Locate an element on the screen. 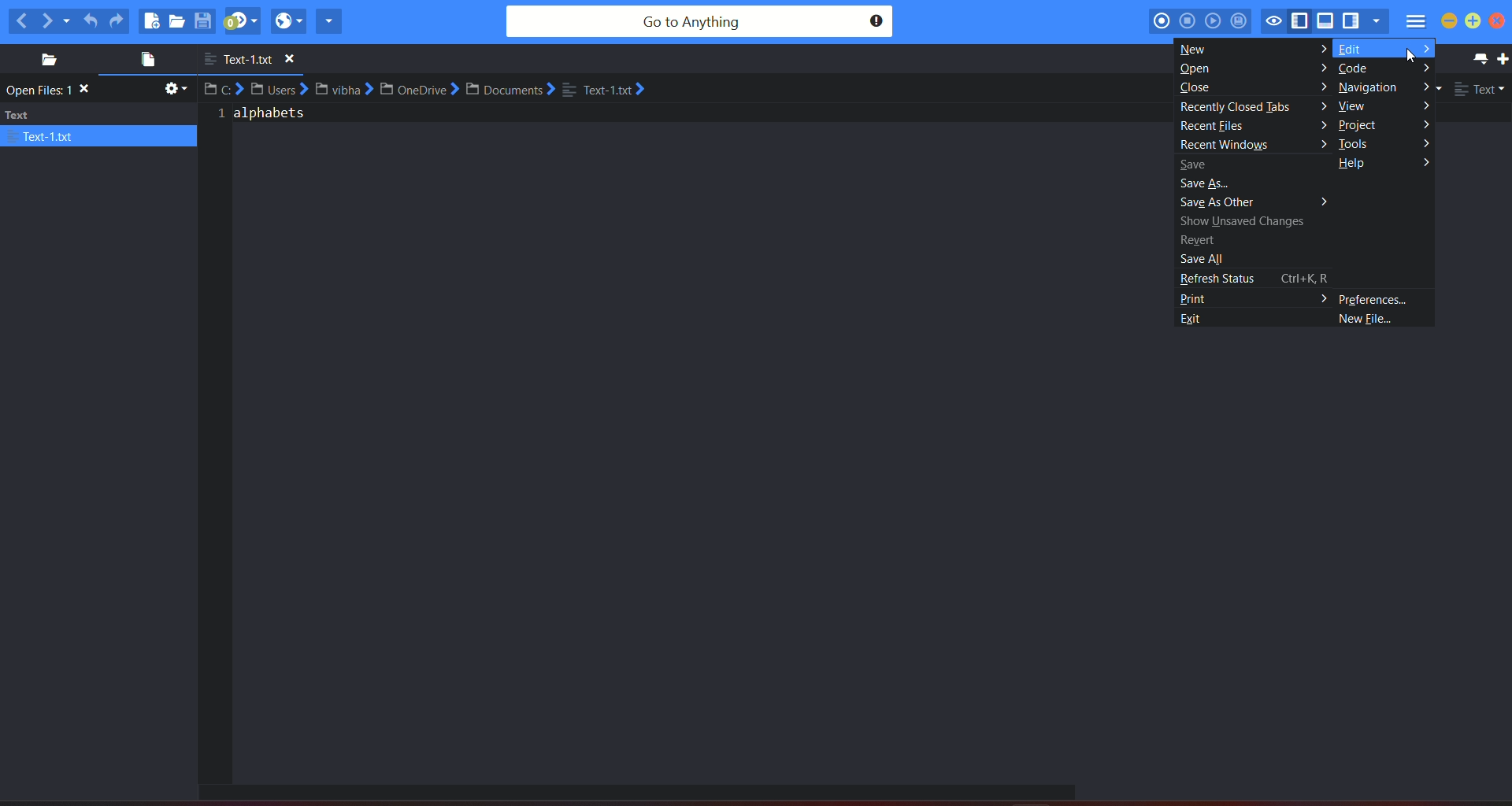 This screenshot has width=1512, height=806. file name is located at coordinates (256, 60).